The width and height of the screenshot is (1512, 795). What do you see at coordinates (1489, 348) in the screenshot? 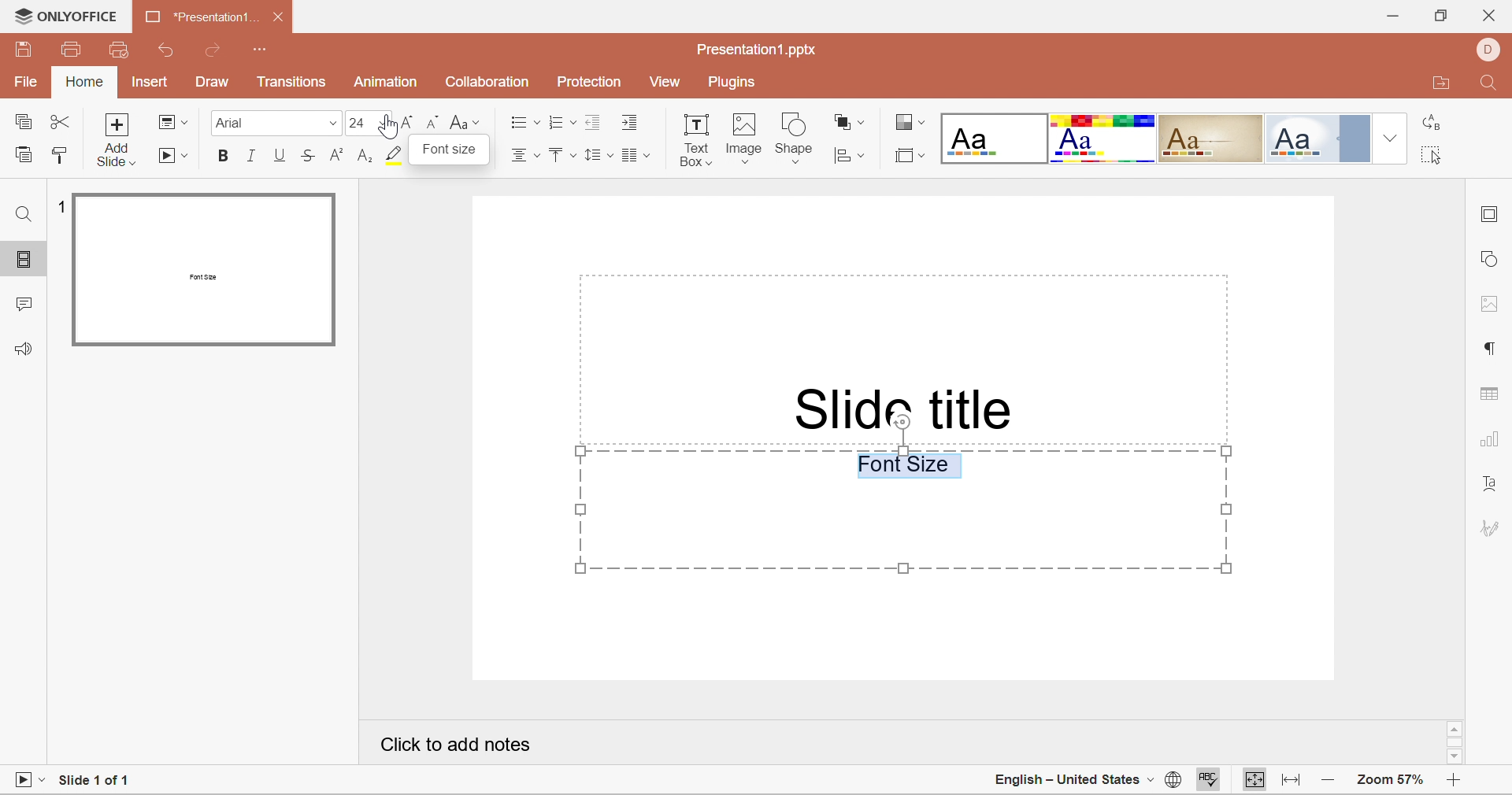
I see `paragraph settings` at bounding box center [1489, 348].